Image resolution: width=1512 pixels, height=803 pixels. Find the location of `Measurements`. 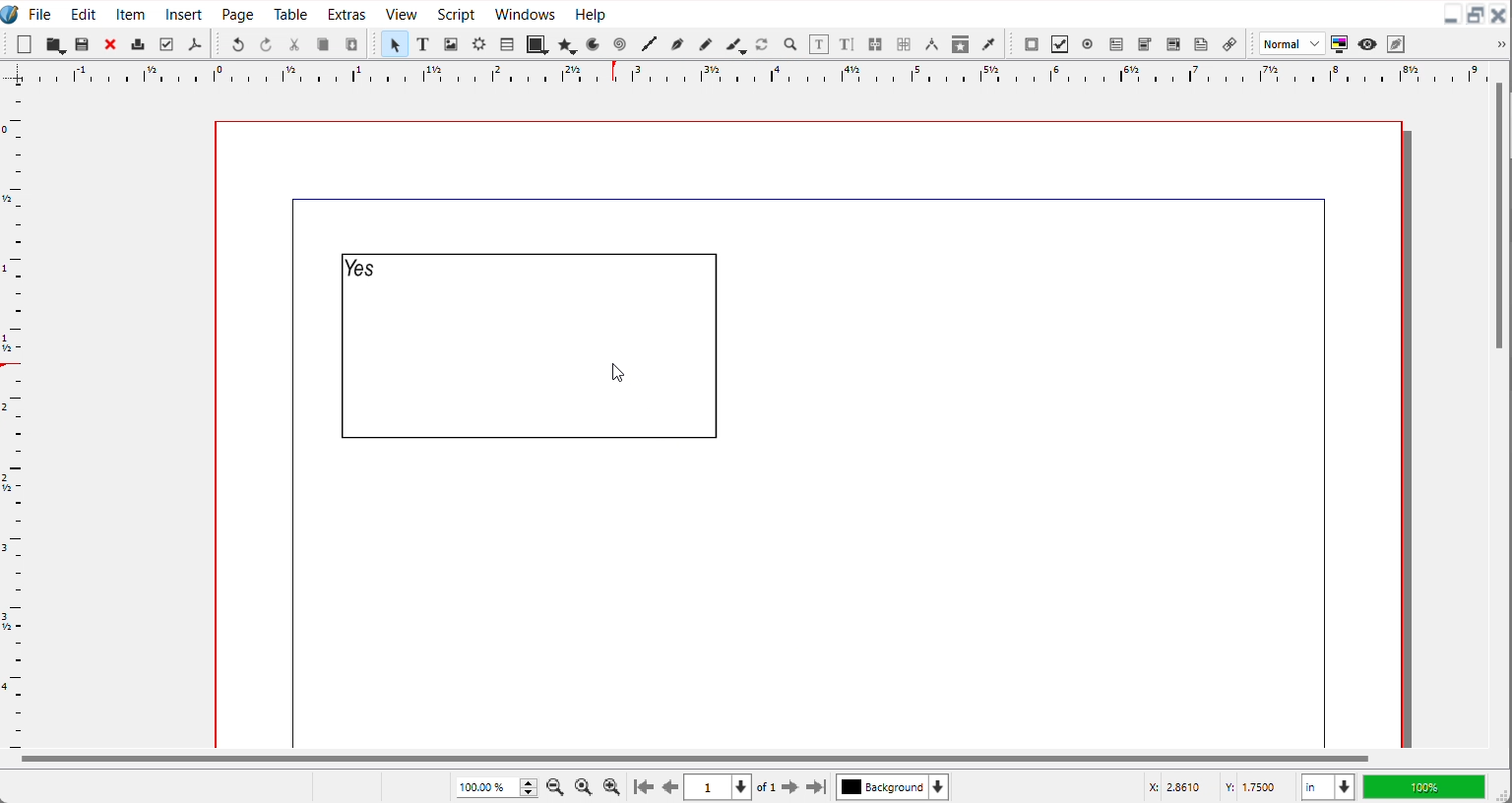

Measurements is located at coordinates (931, 44).